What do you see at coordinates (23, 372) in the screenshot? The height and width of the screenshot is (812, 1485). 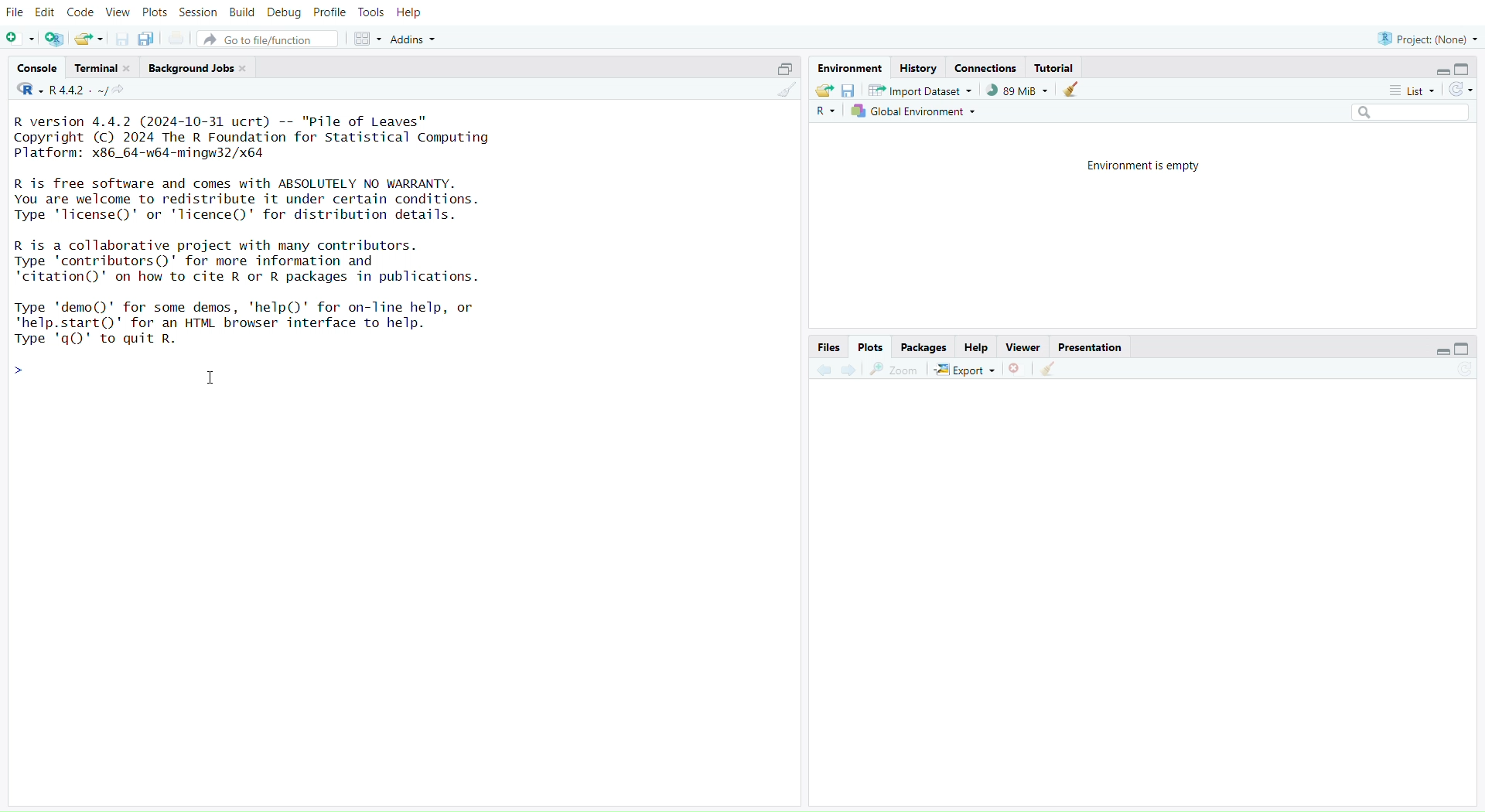 I see `Prompt cursor` at bounding box center [23, 372].